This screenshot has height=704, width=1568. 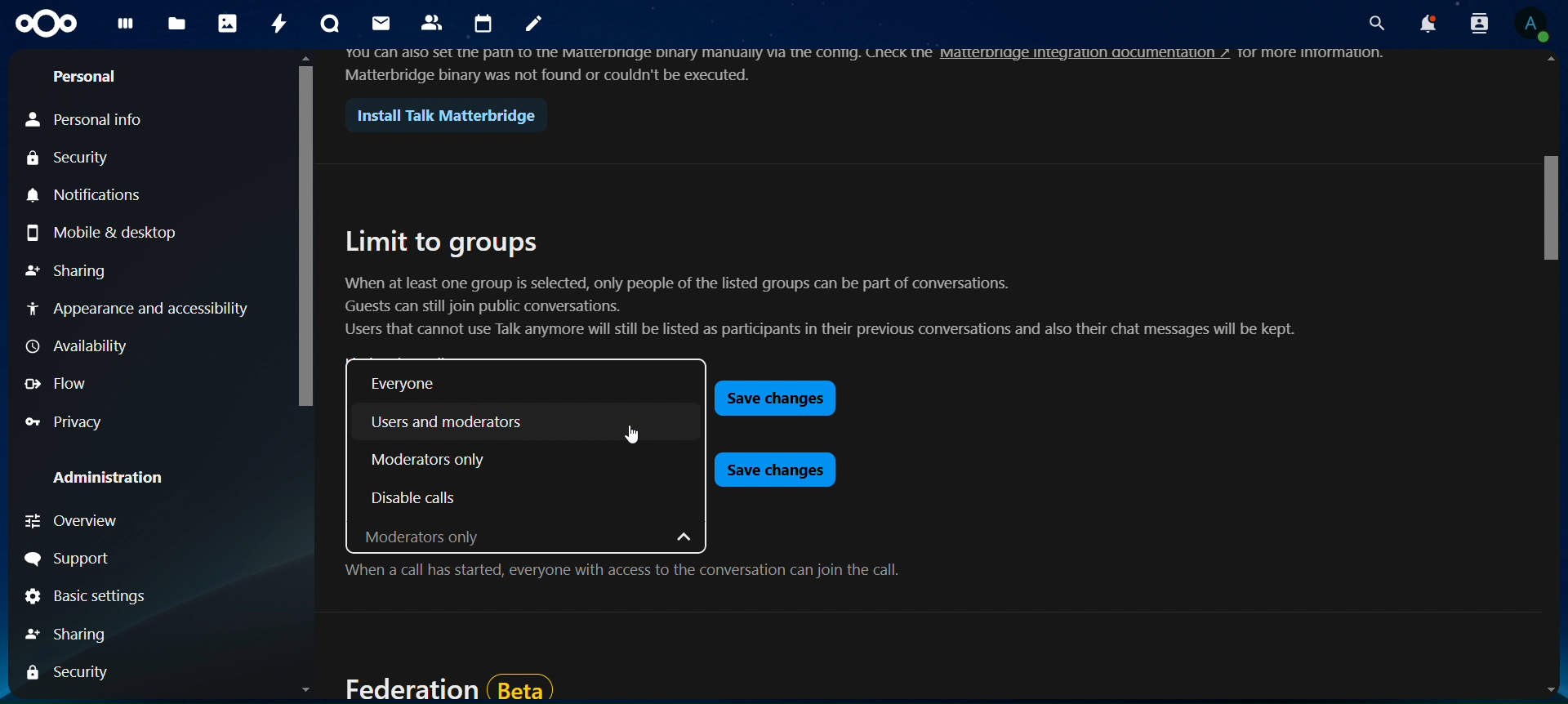 I want to click on cursor, so click(x=634, y=437).